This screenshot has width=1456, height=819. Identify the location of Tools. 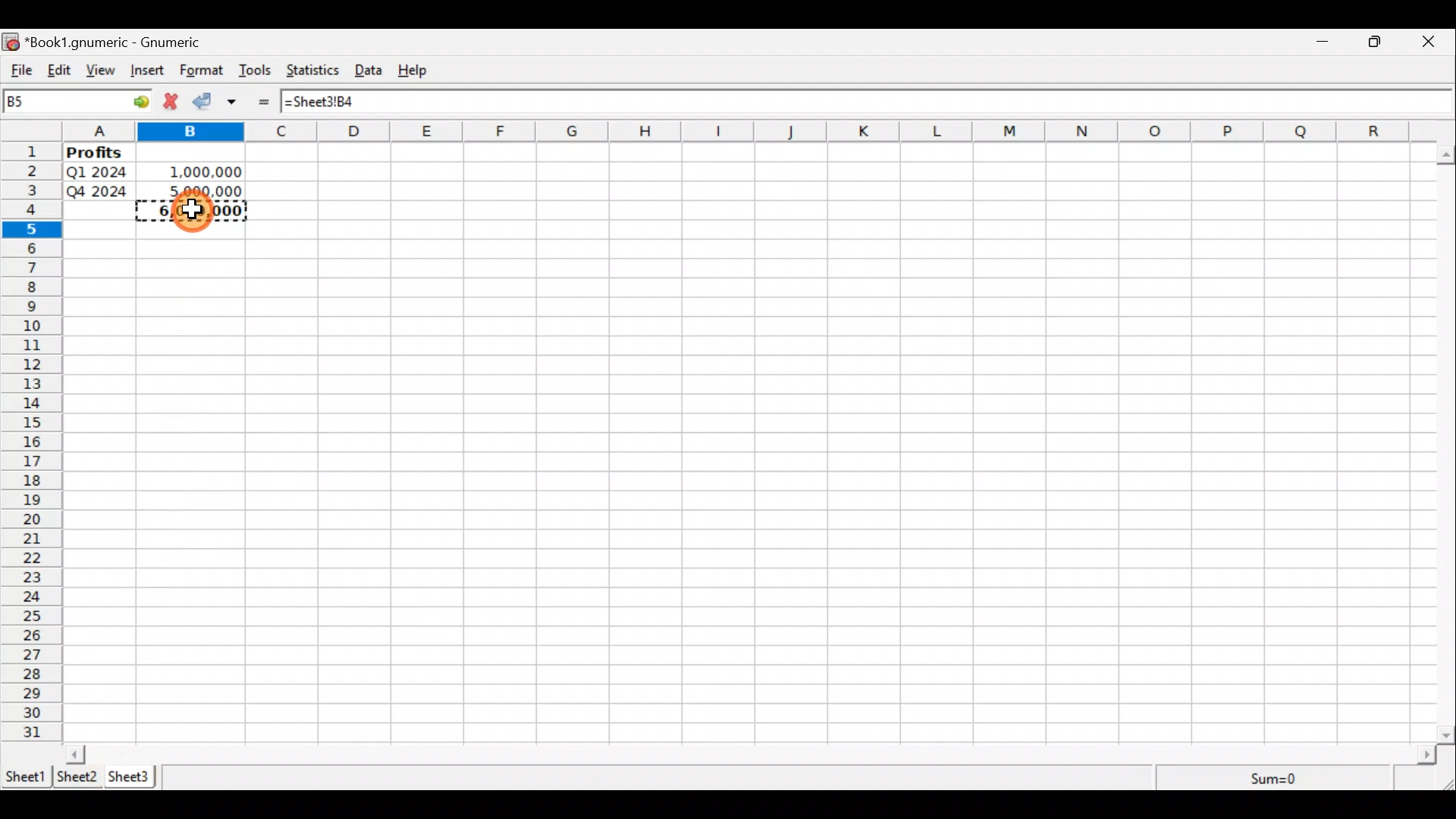
(256, 71).